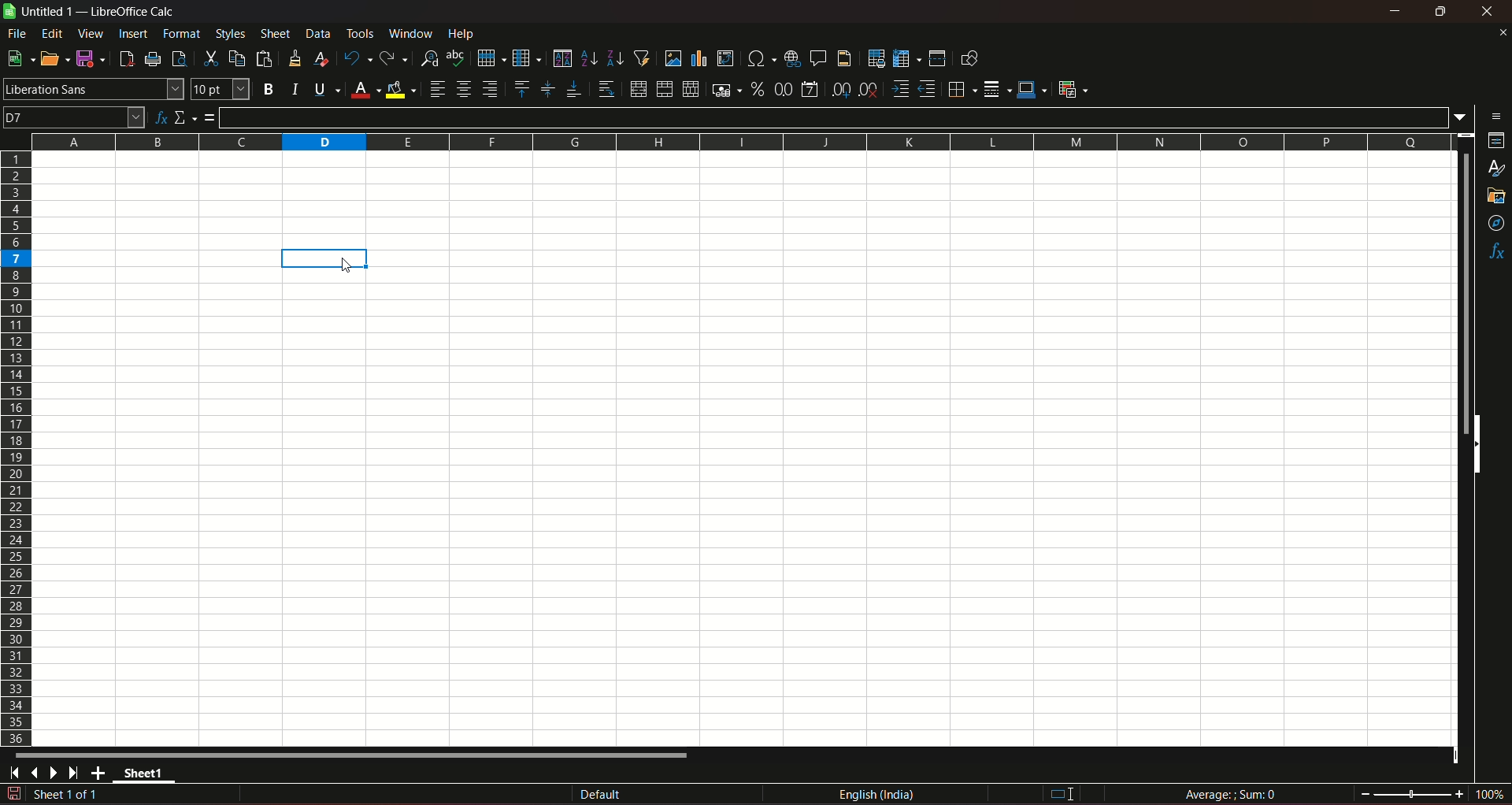 This screenshot has width=1512, height=805. I want to click on undo, so click(356, 57).